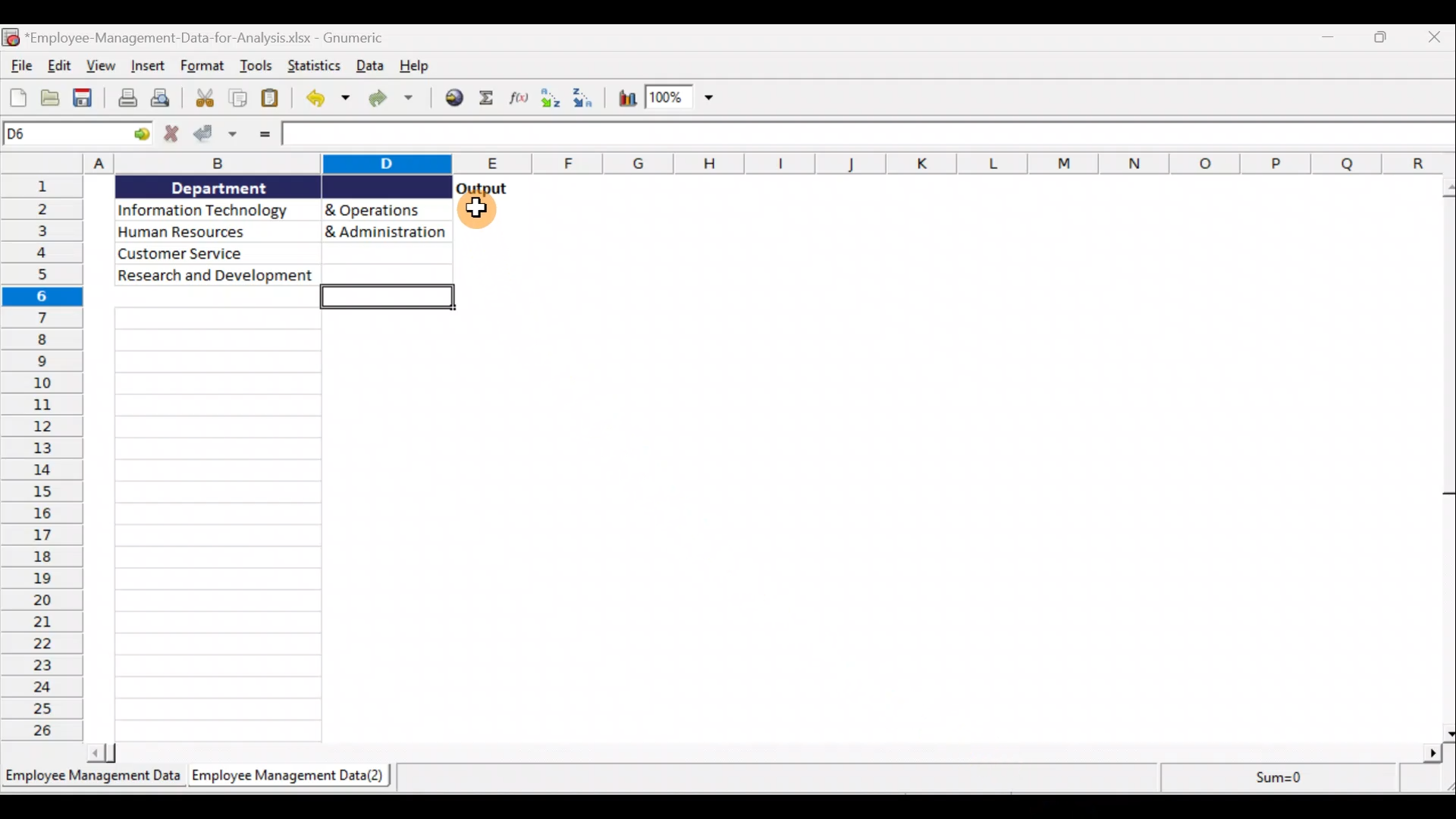 This screenshot has width=1456, height=819. I want to click on scroll bar, so click(766, 753).